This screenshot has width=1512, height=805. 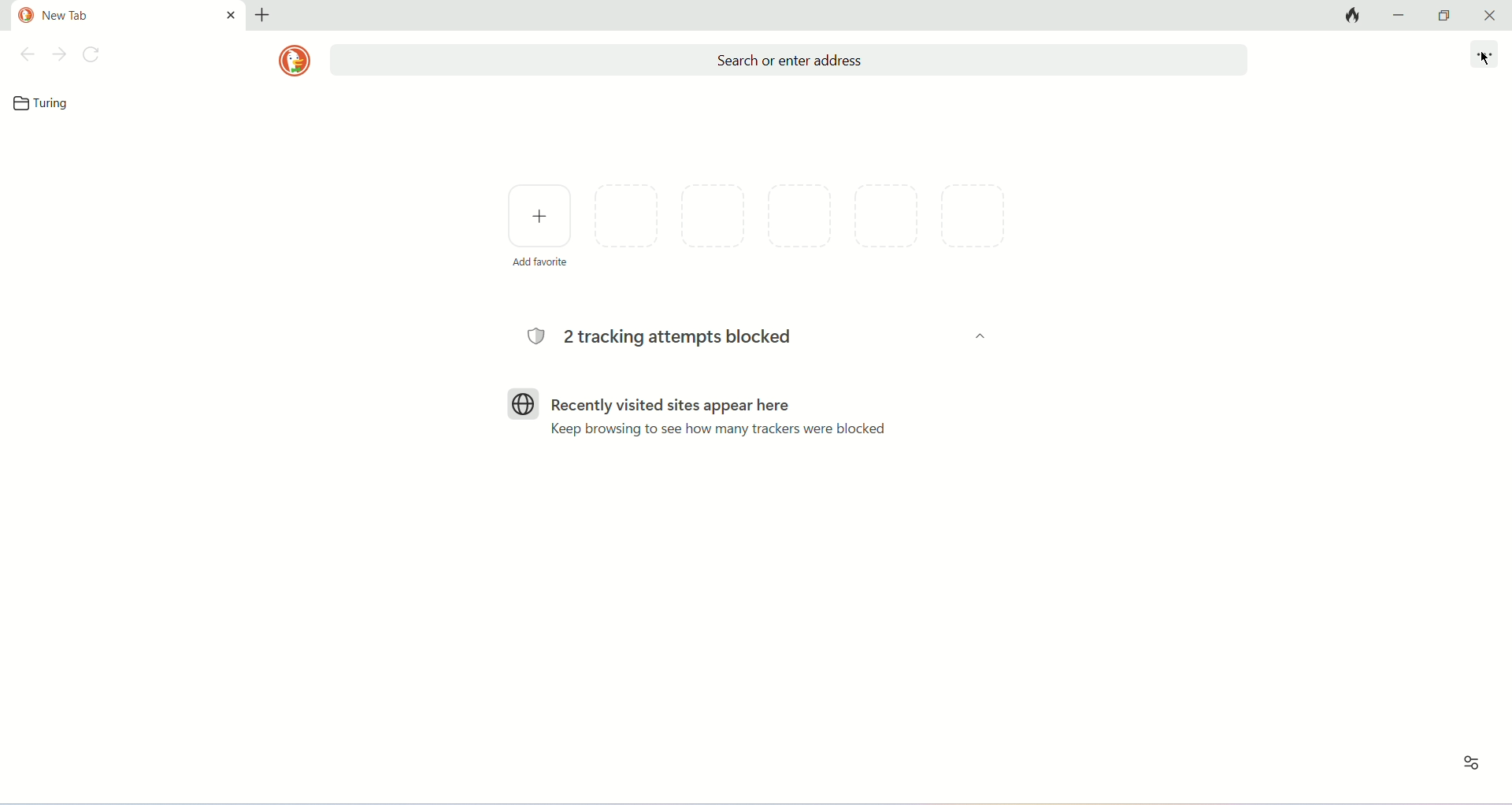 I want to click on minimize, so click(x=1400, y=16).